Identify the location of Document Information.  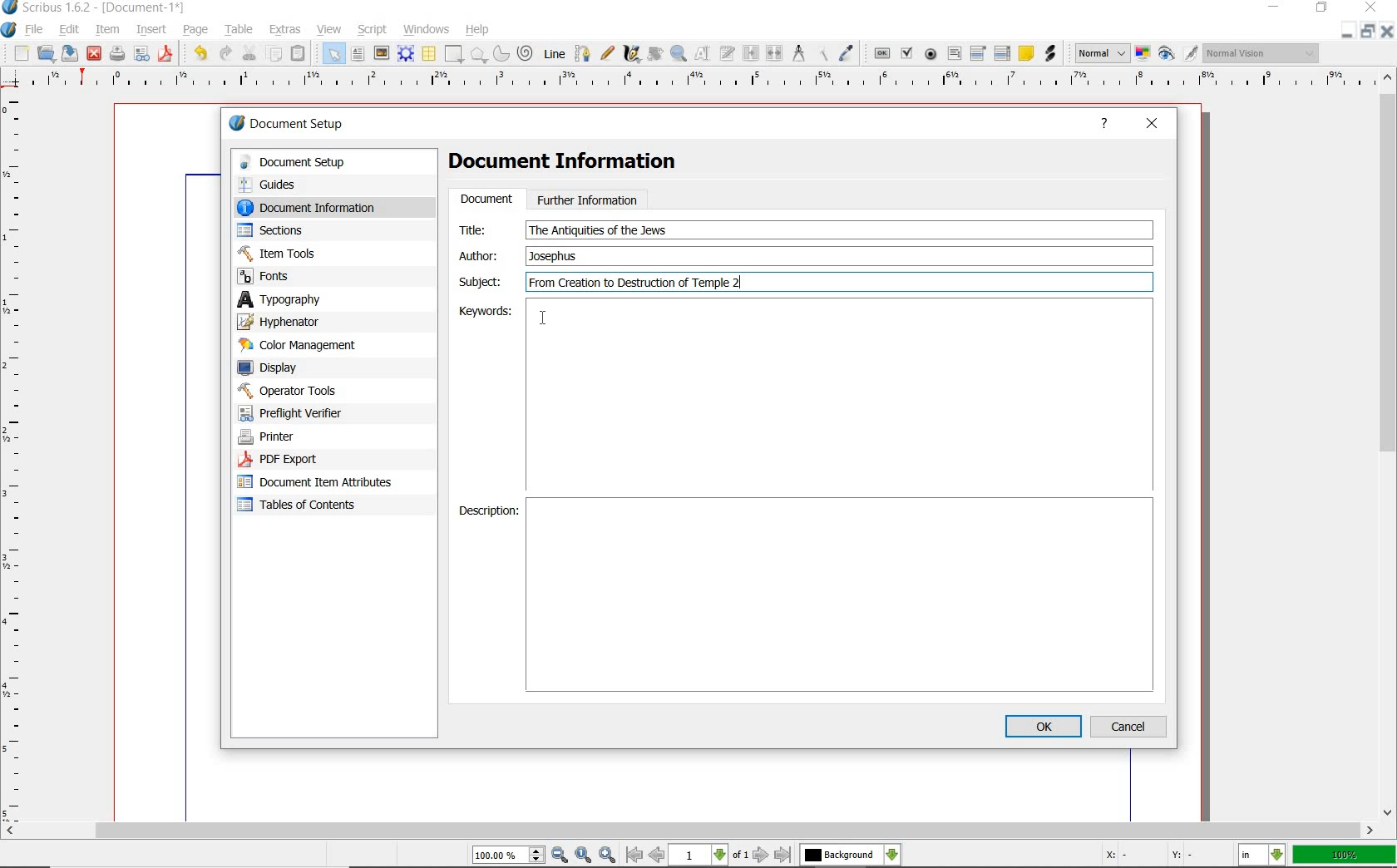
(576, 164).